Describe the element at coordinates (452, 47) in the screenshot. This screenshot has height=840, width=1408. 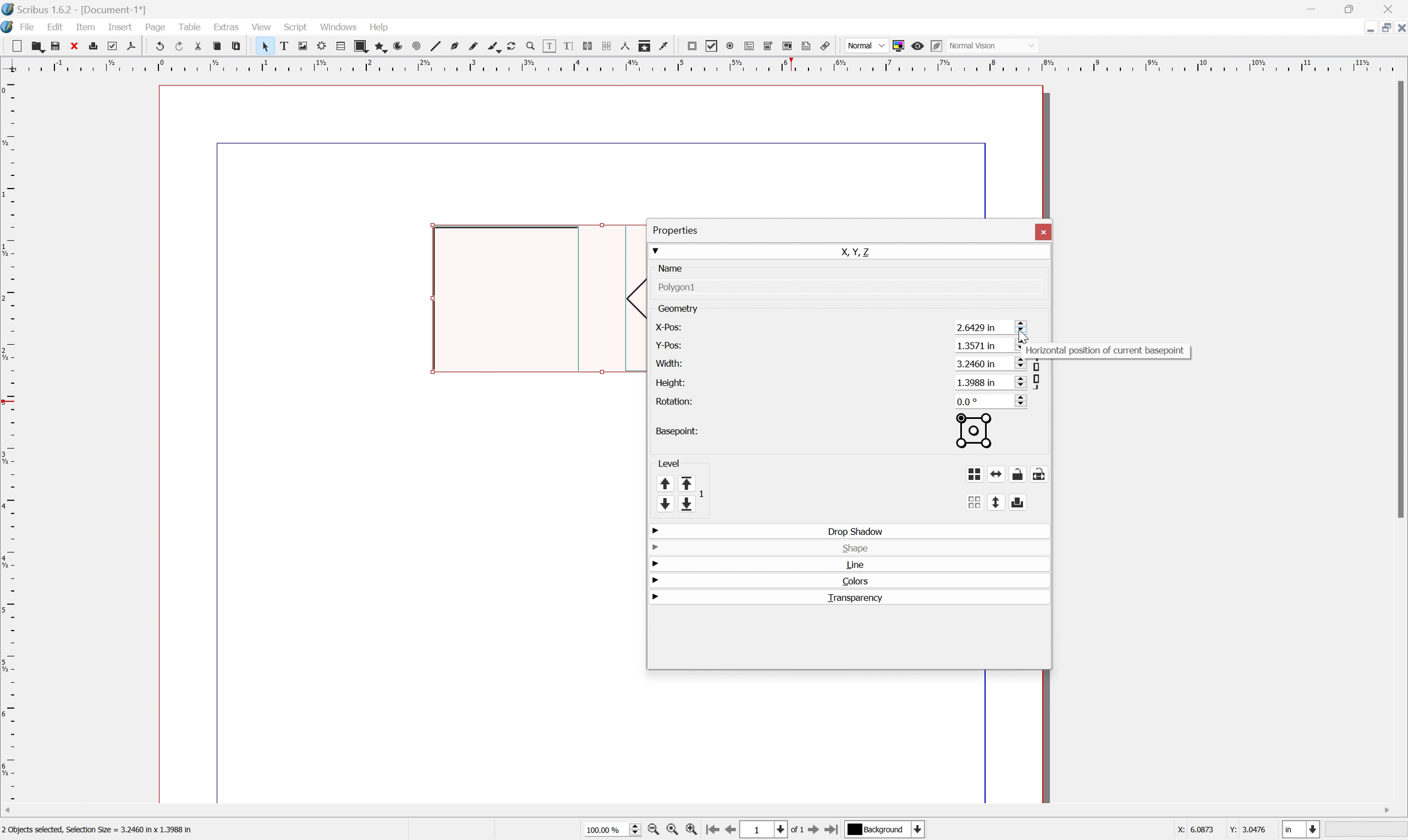
I see `bezier curve` at that location.